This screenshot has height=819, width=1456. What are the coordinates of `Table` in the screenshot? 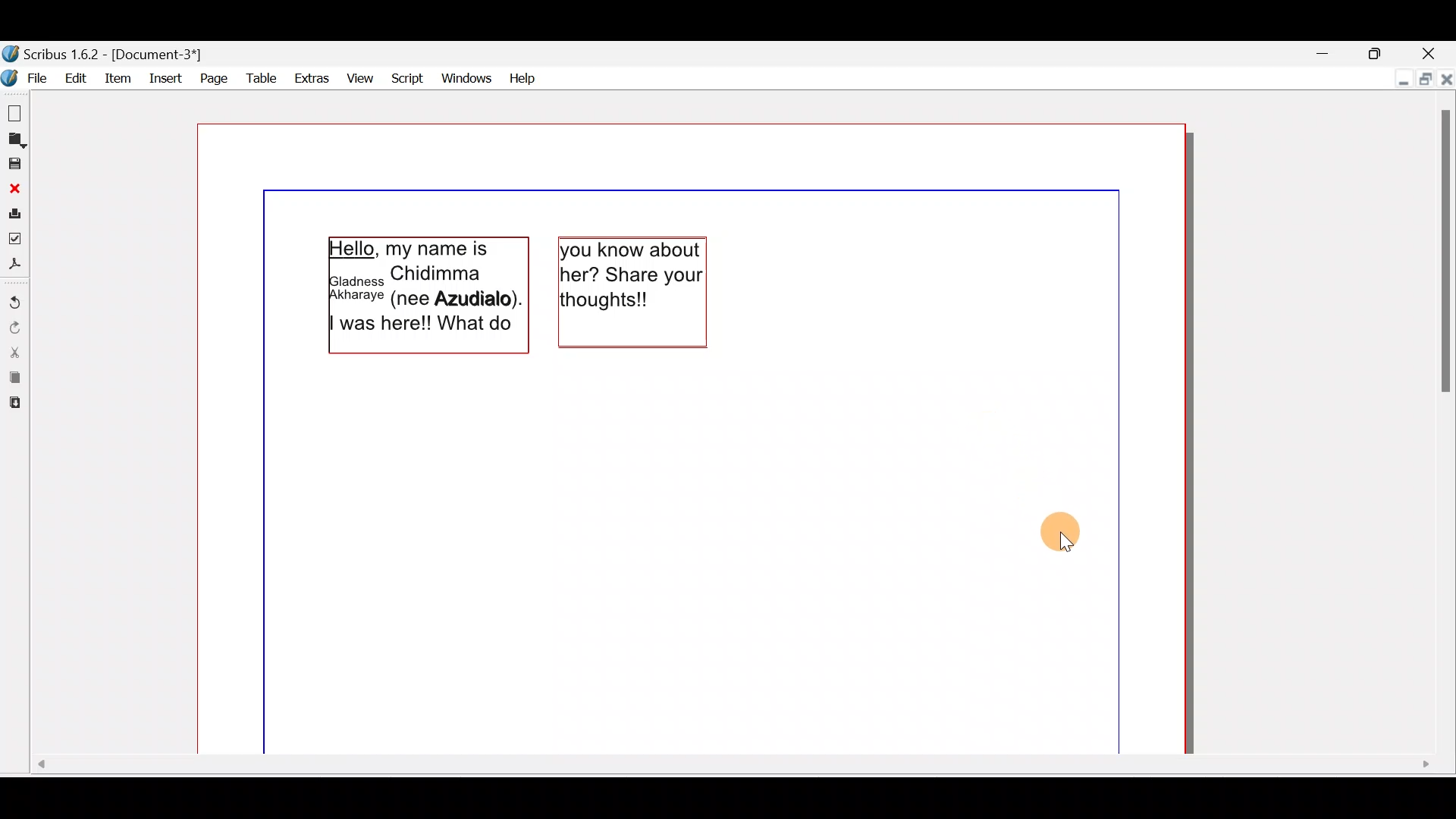 It's located at (256, 78).